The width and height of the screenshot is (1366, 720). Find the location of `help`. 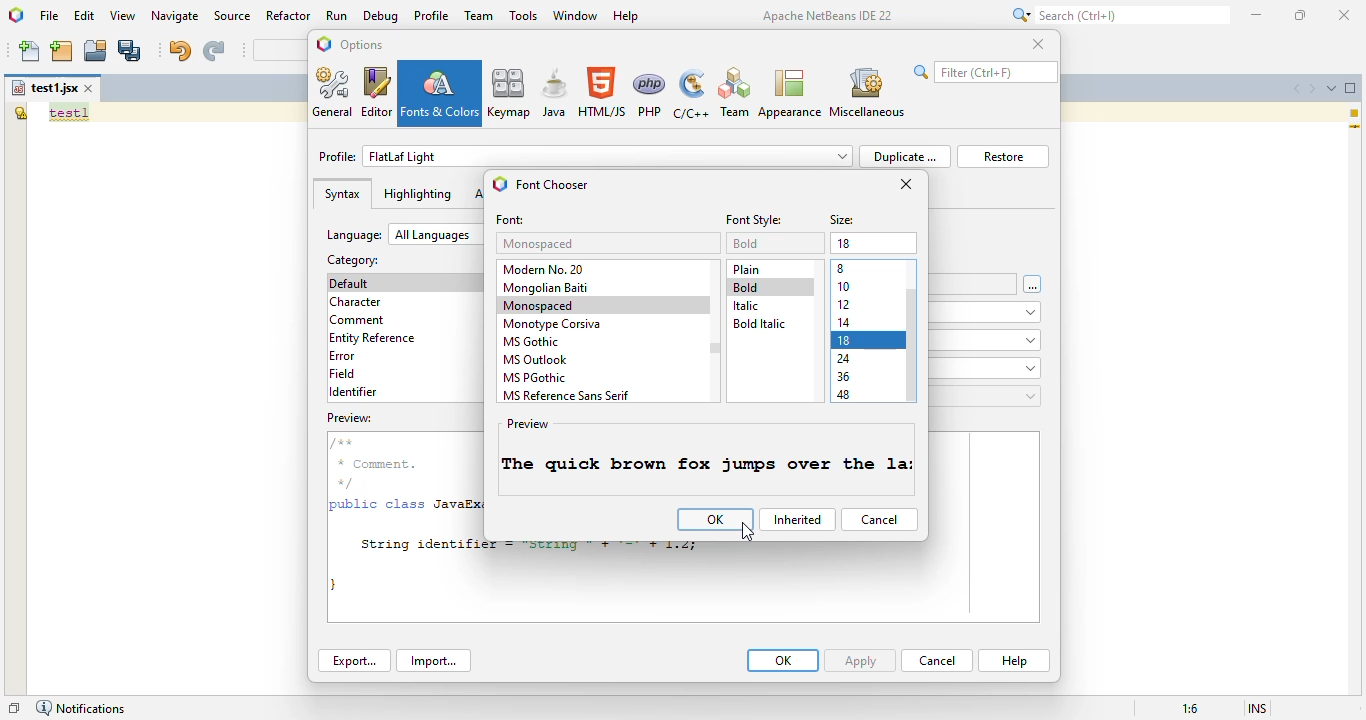

help is located at coordinates (1014, 661).